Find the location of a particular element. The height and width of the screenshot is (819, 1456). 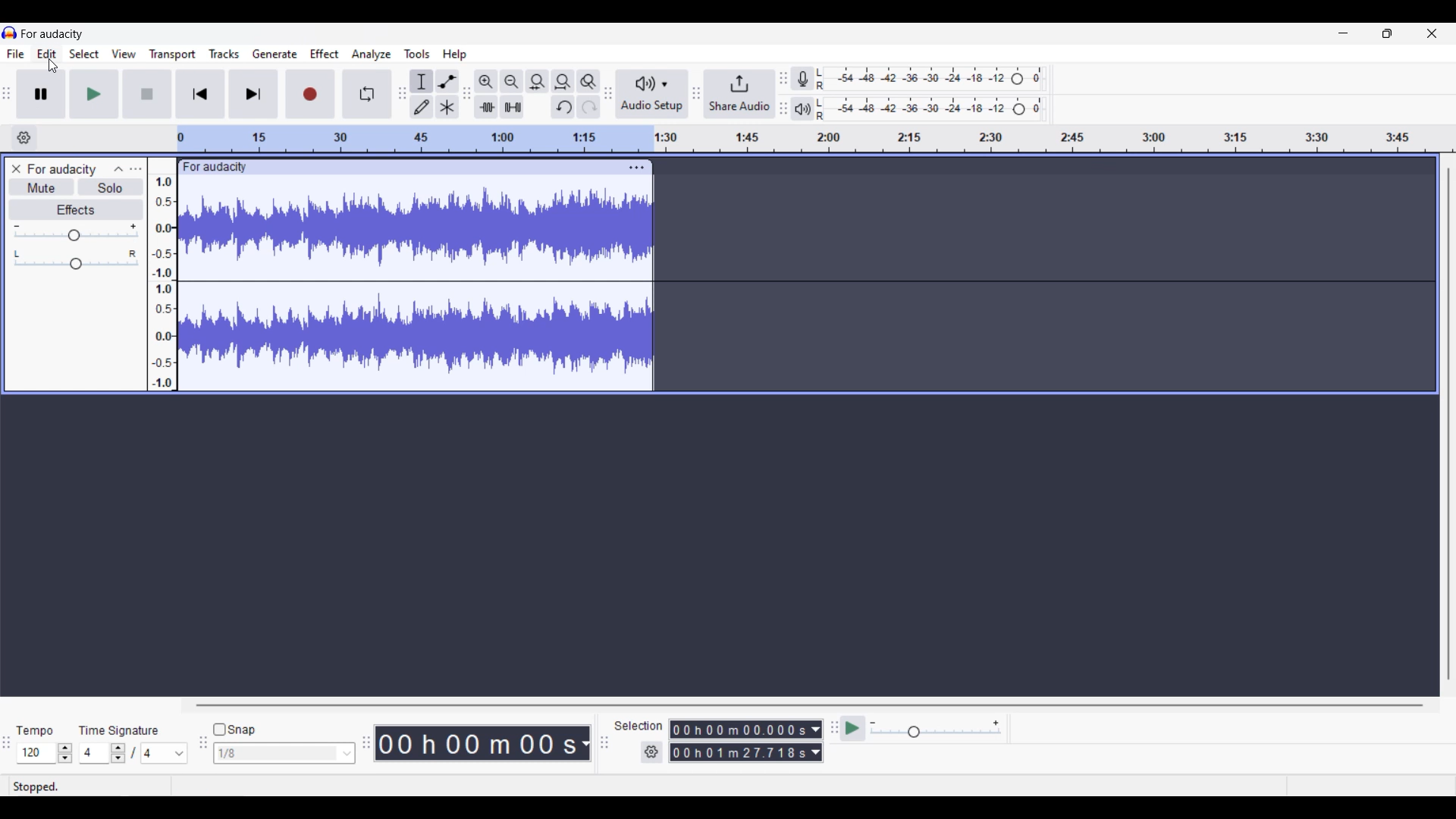

timestamp is located at coordinates (482, 743).